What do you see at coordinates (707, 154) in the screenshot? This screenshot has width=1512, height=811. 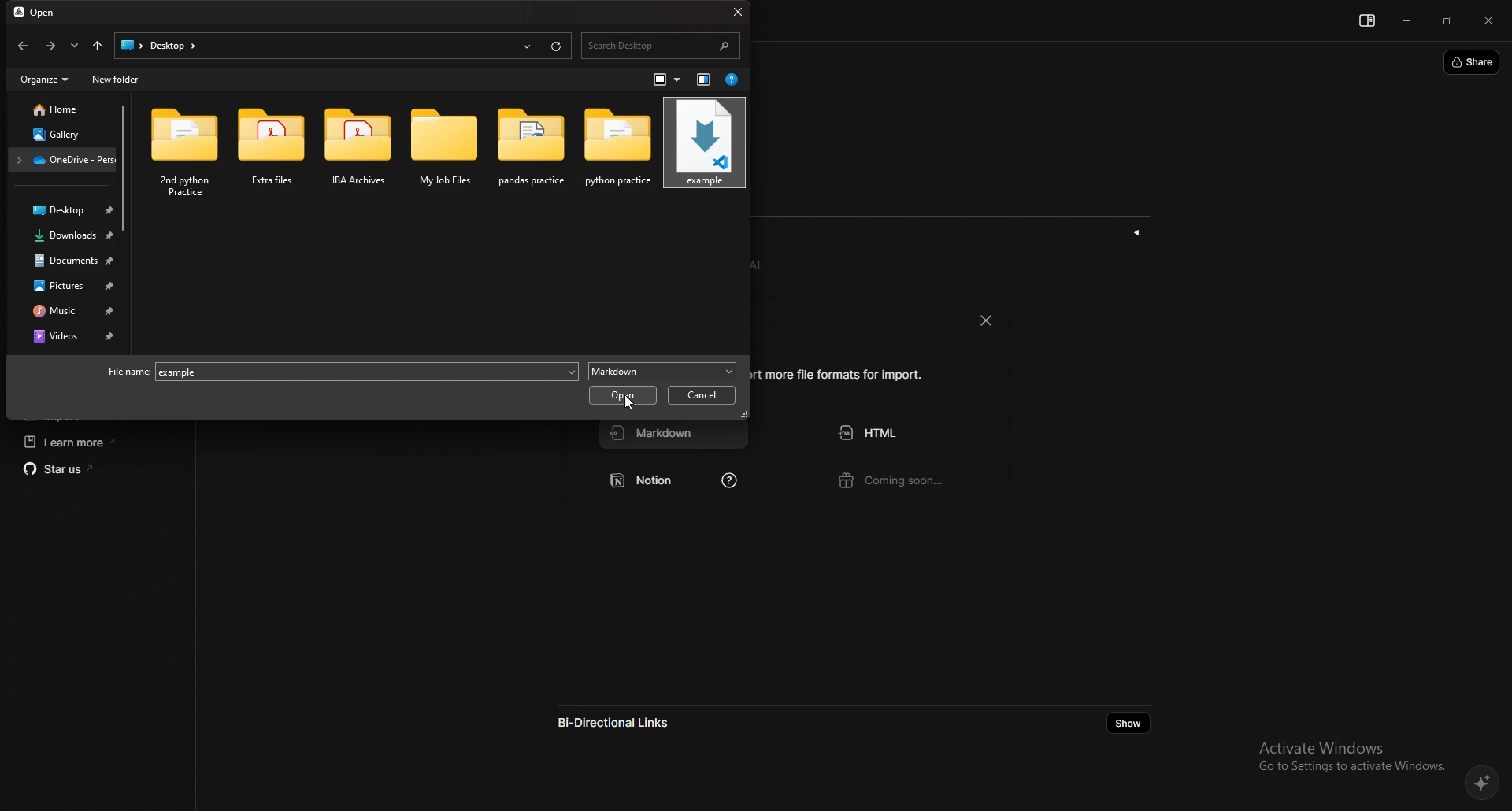 I see `cursor` at bounding box center [707, 154].